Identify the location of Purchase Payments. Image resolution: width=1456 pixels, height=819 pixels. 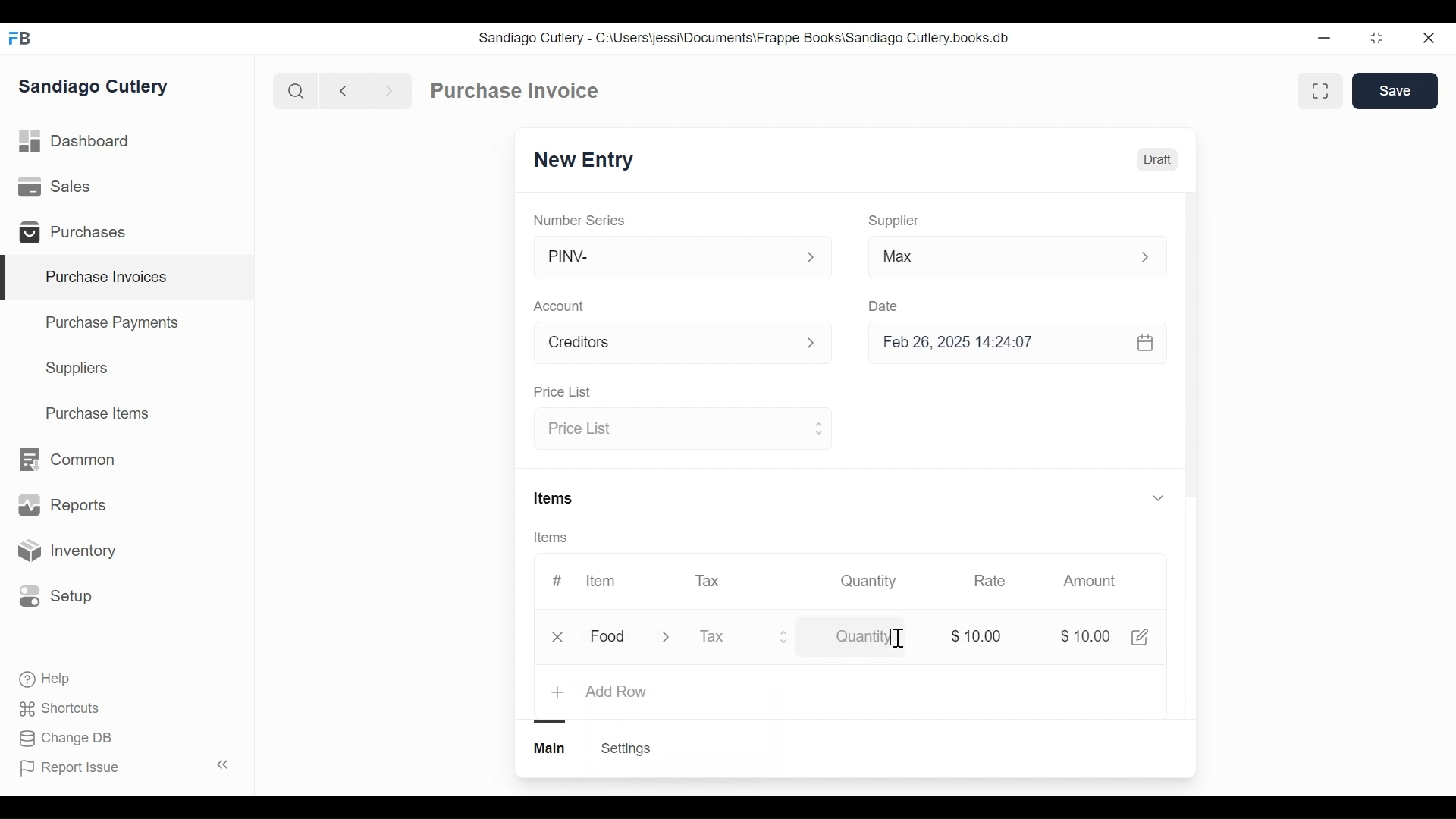
(115, 325).